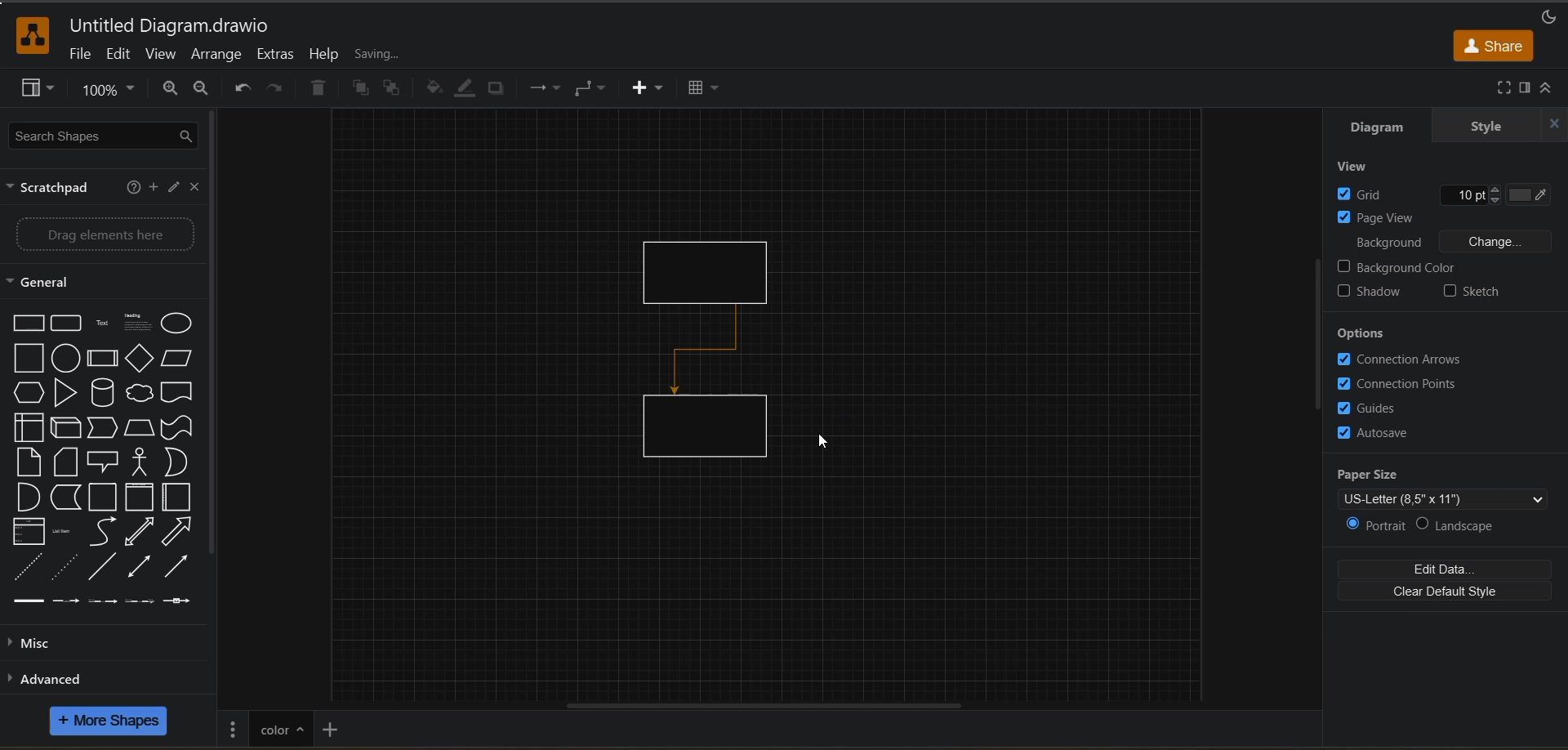 The width and height of the screenshot is (1568, 750). I want to click on Step, so click(106, 429).